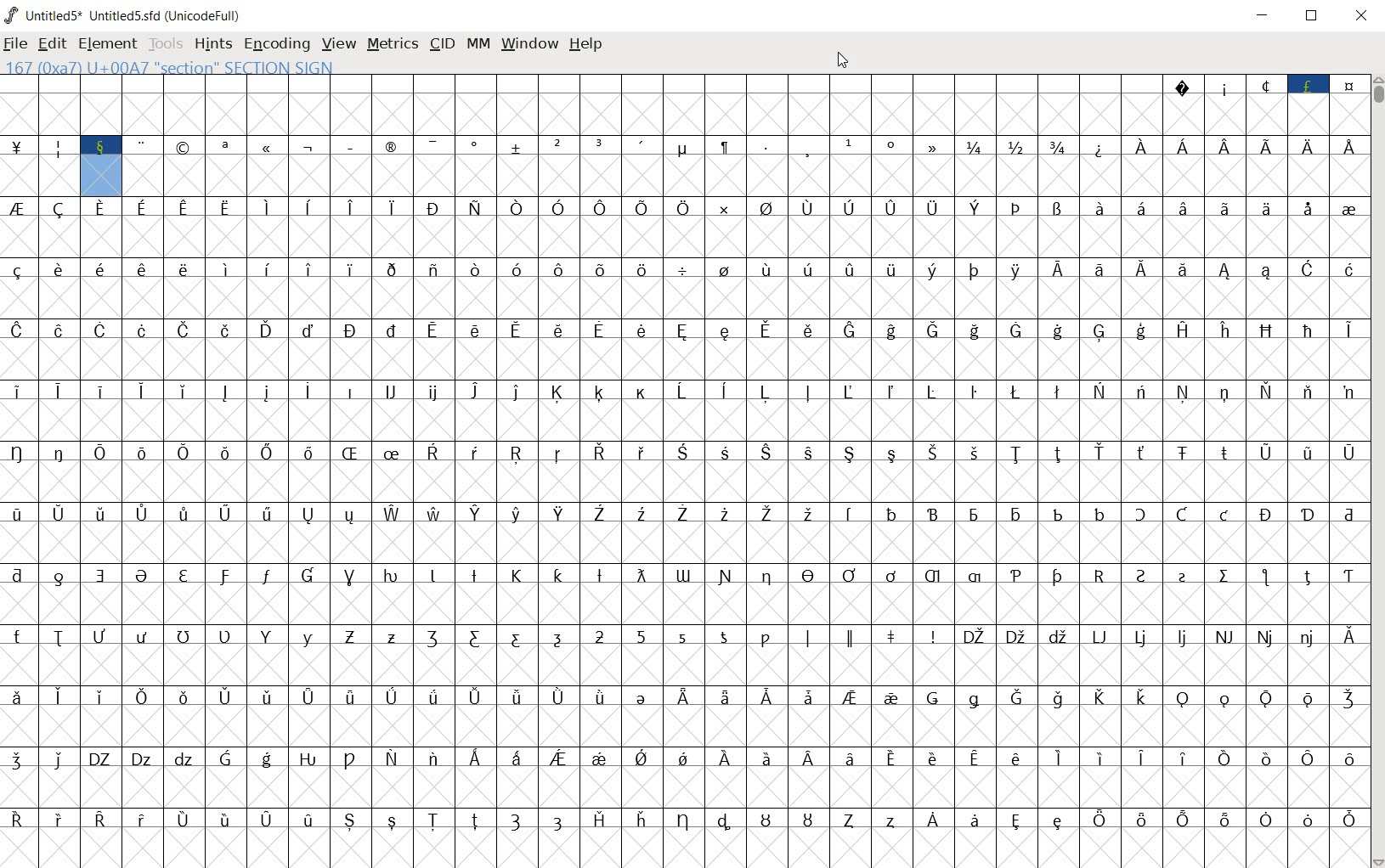 The image size is (1385, 868). I want to click on , so click(63, 777).